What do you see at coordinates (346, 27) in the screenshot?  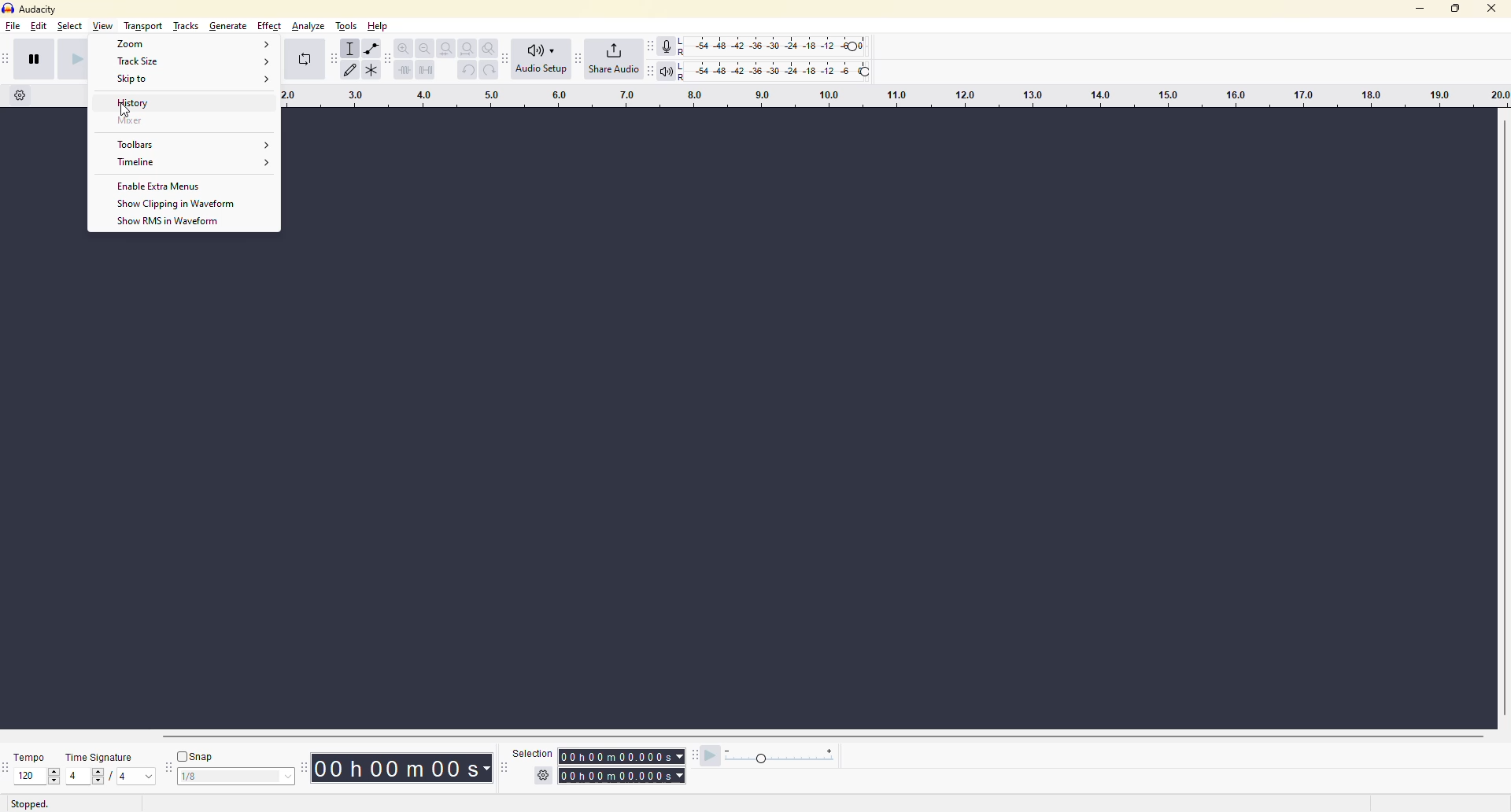 I see `tools` at bounding box center [346, 27].